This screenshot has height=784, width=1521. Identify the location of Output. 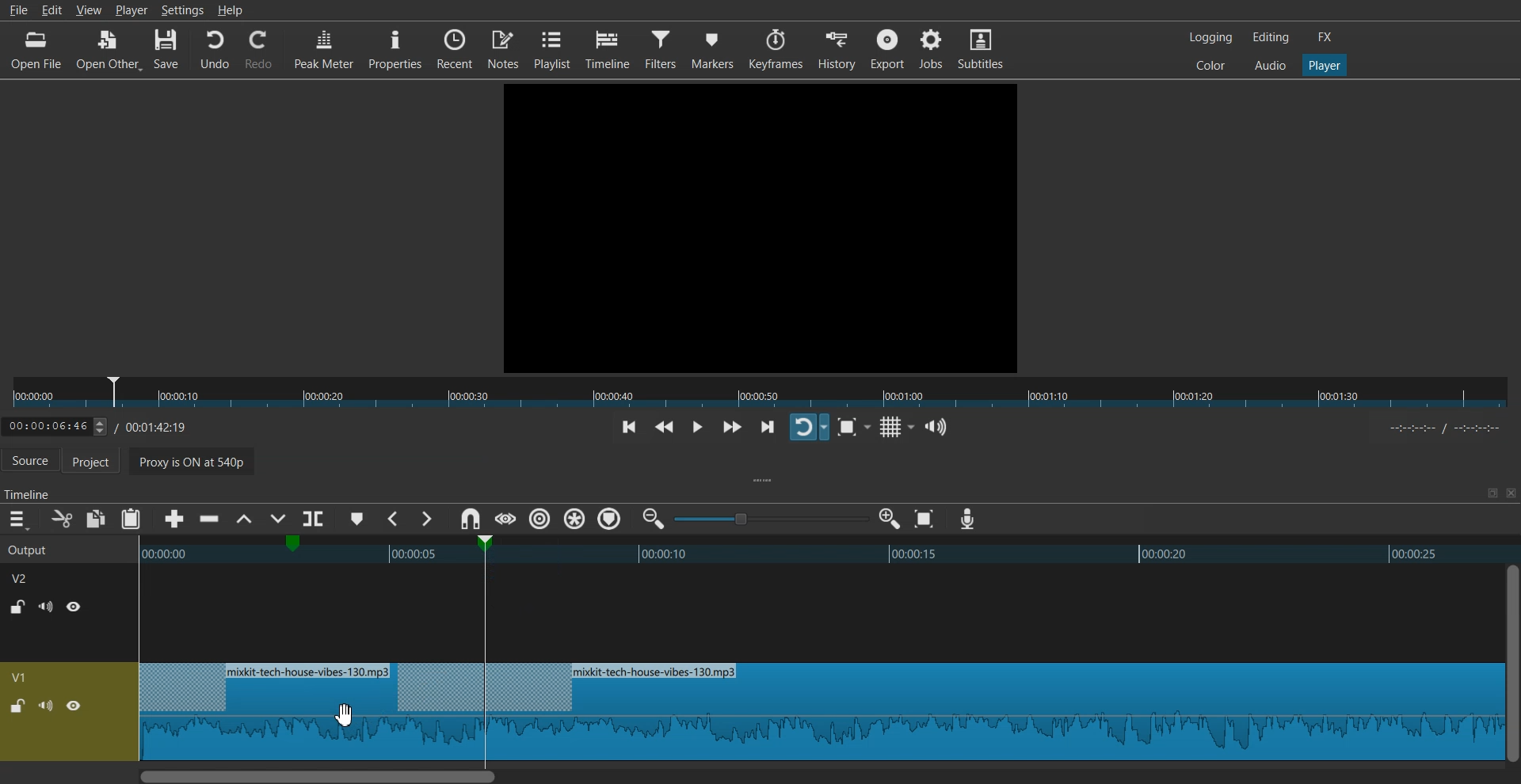
(49, 548).